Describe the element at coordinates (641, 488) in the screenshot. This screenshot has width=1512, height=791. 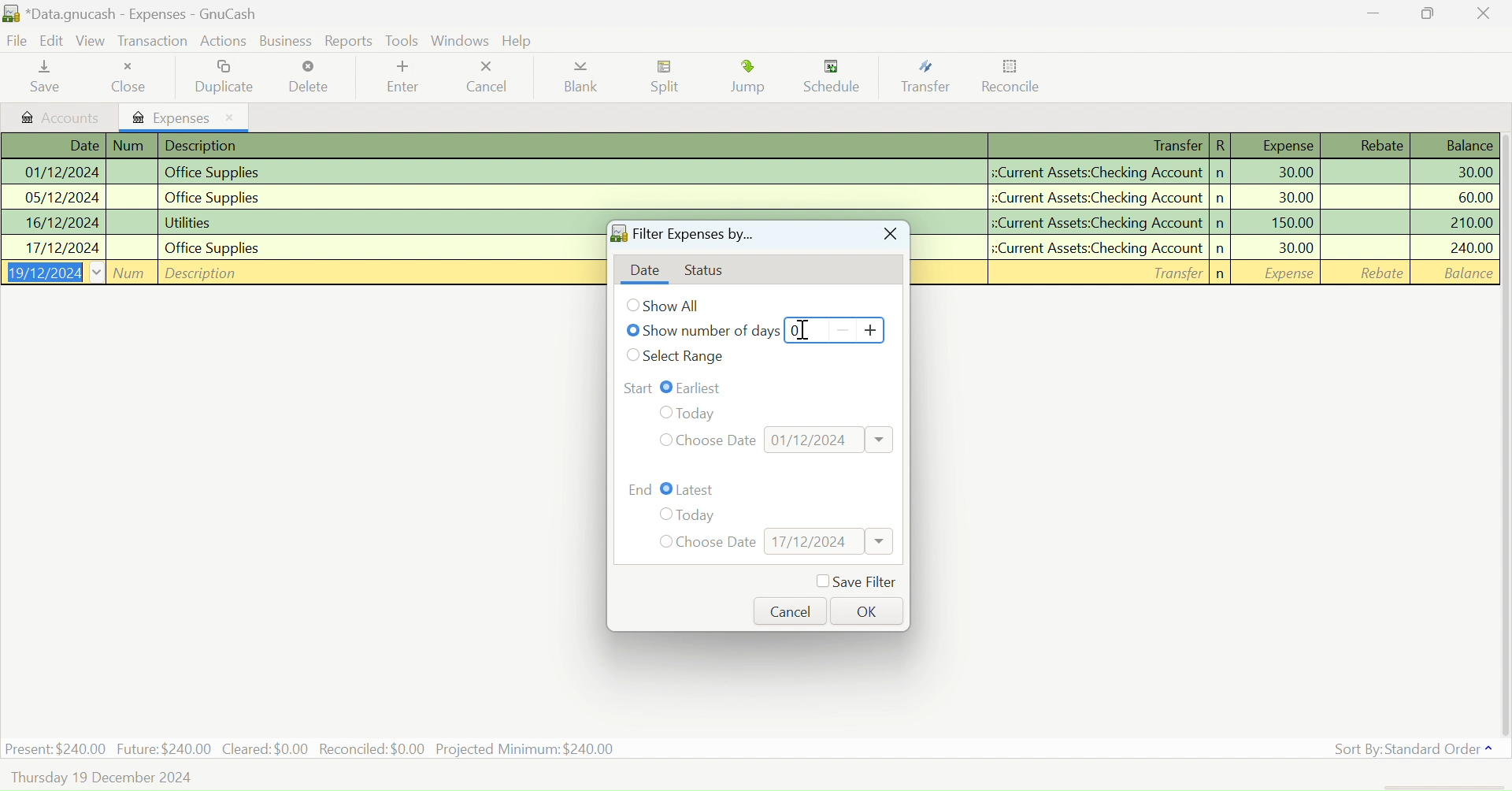
I see `Range End: Latest` at that location.